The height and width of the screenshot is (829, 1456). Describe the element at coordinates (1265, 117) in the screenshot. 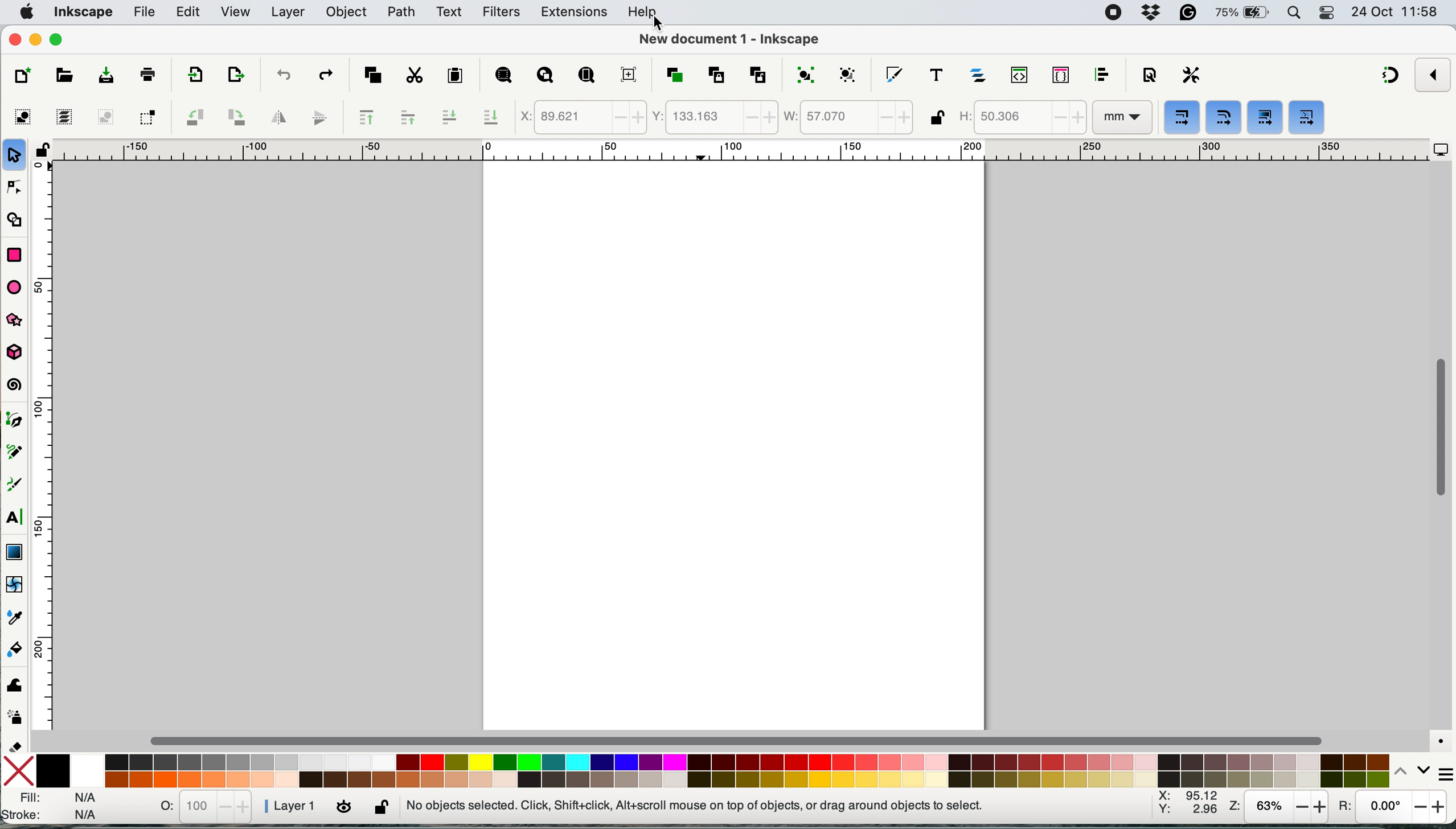

I see `move gradients` at that location.